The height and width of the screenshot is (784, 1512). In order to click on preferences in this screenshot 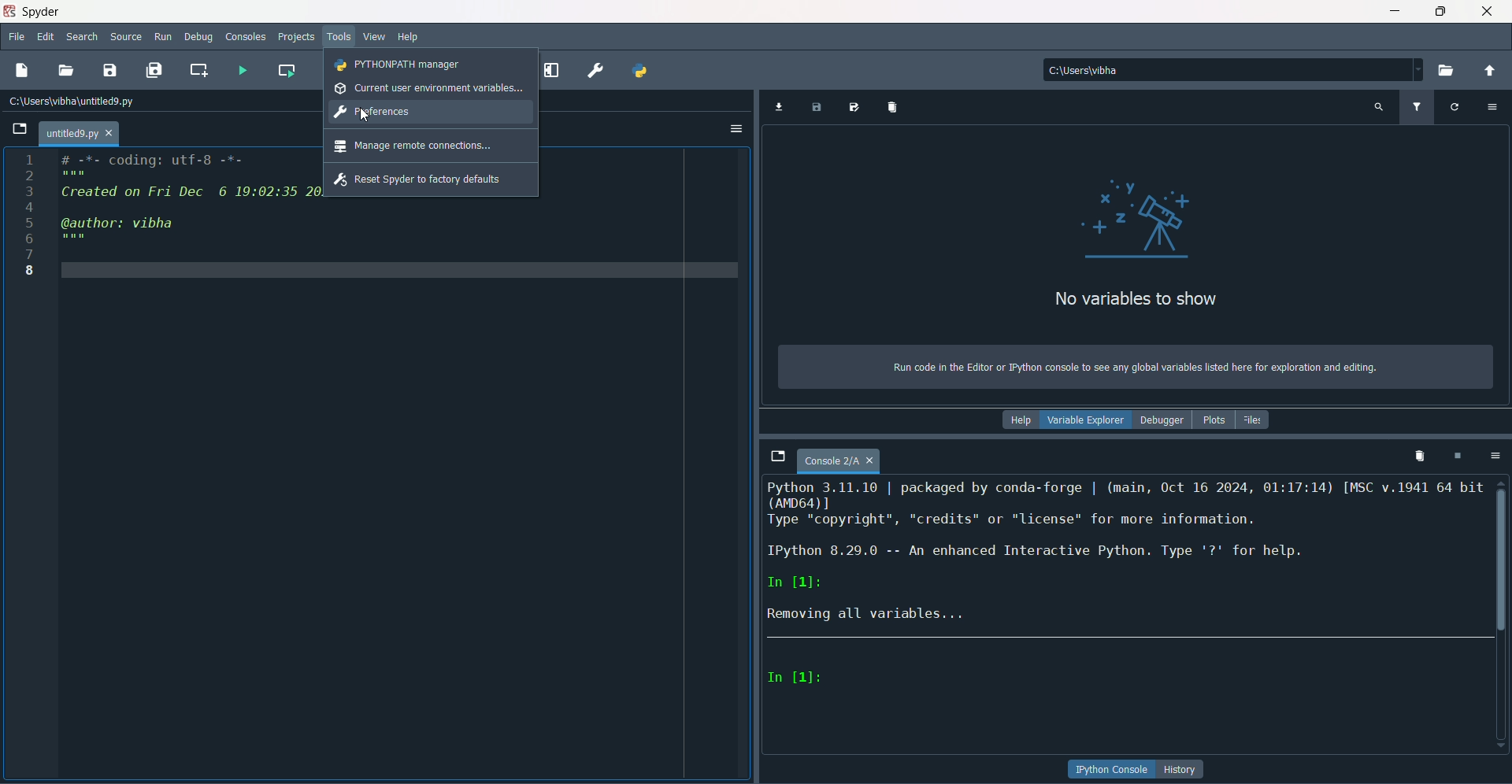, I will do `click(374, 113)`.